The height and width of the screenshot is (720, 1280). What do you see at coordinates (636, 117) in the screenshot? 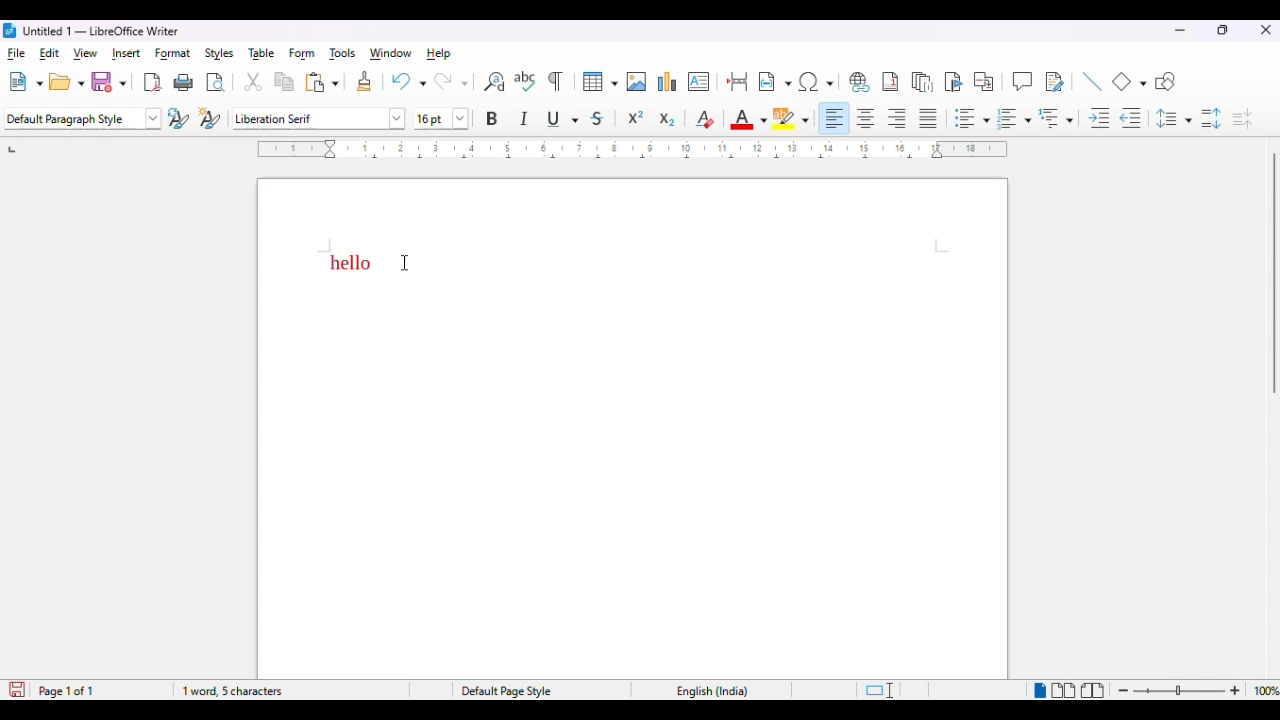
I see `superscript` at bounding box center [636, 117].